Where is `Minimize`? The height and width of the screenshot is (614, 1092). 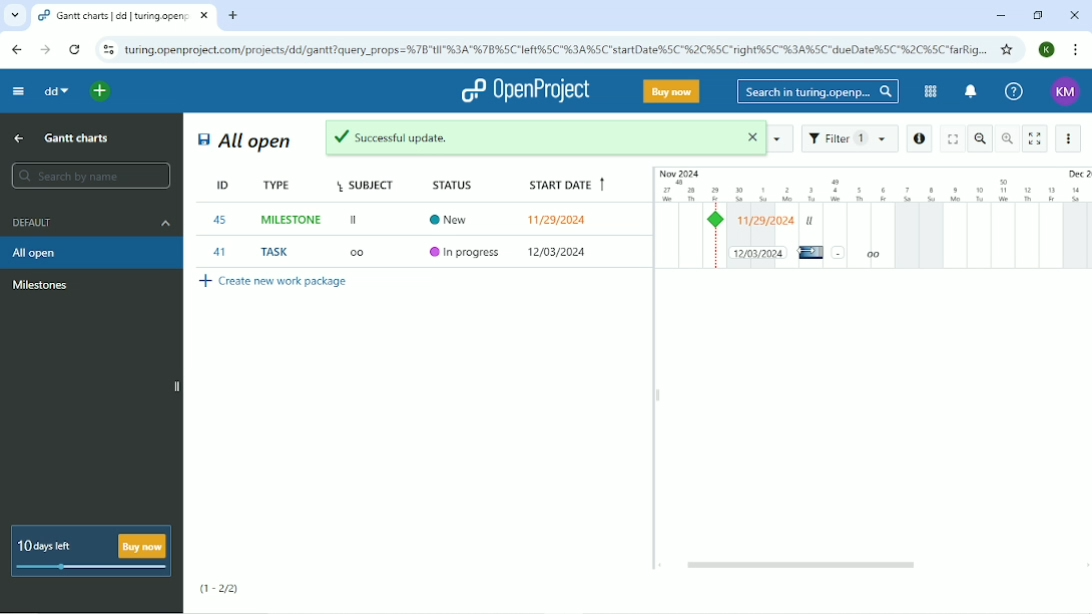 Minimize is located at coordinates (998, 16).